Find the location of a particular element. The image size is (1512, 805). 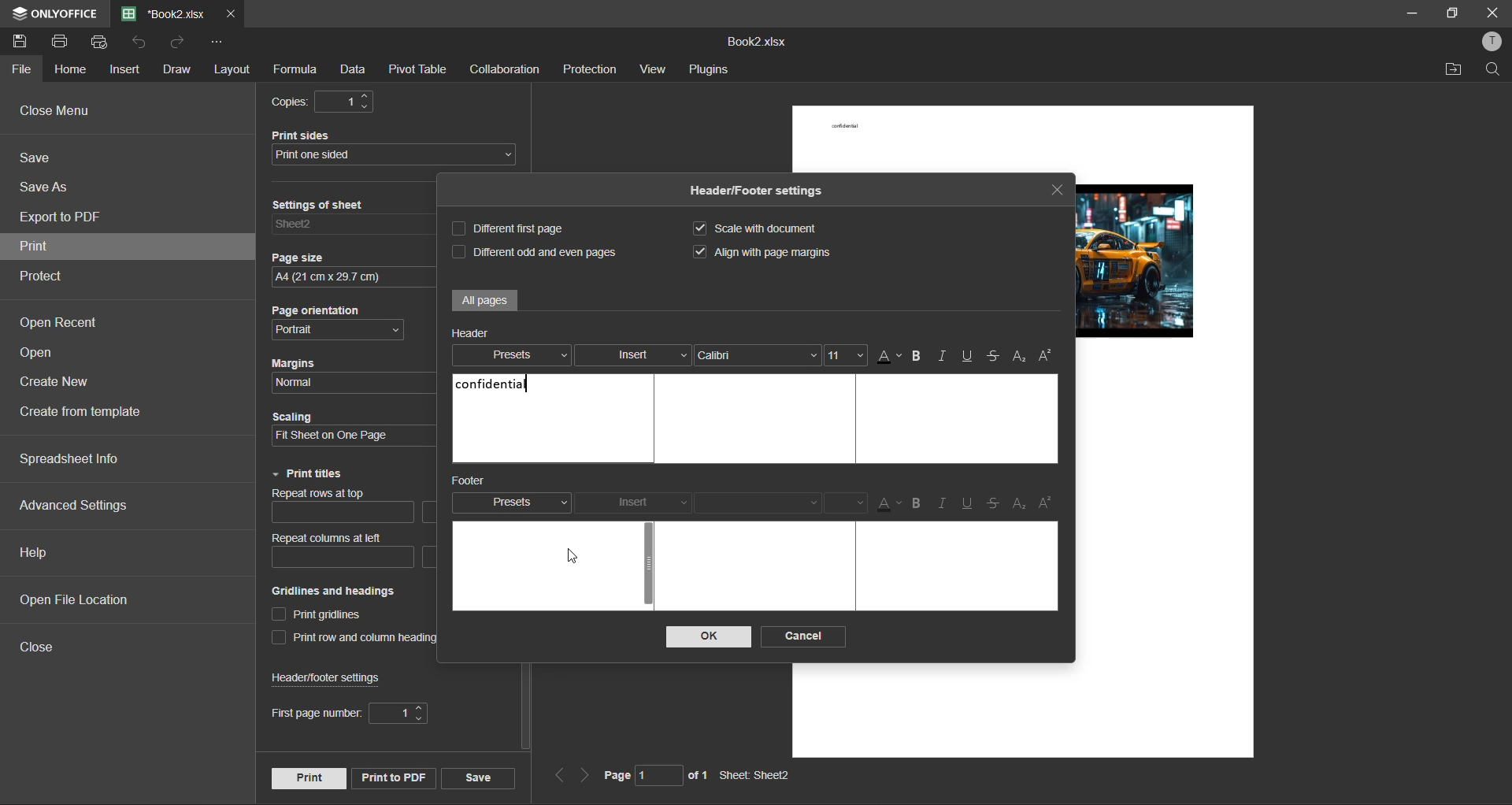

previous is located at coordinates (557, 773).